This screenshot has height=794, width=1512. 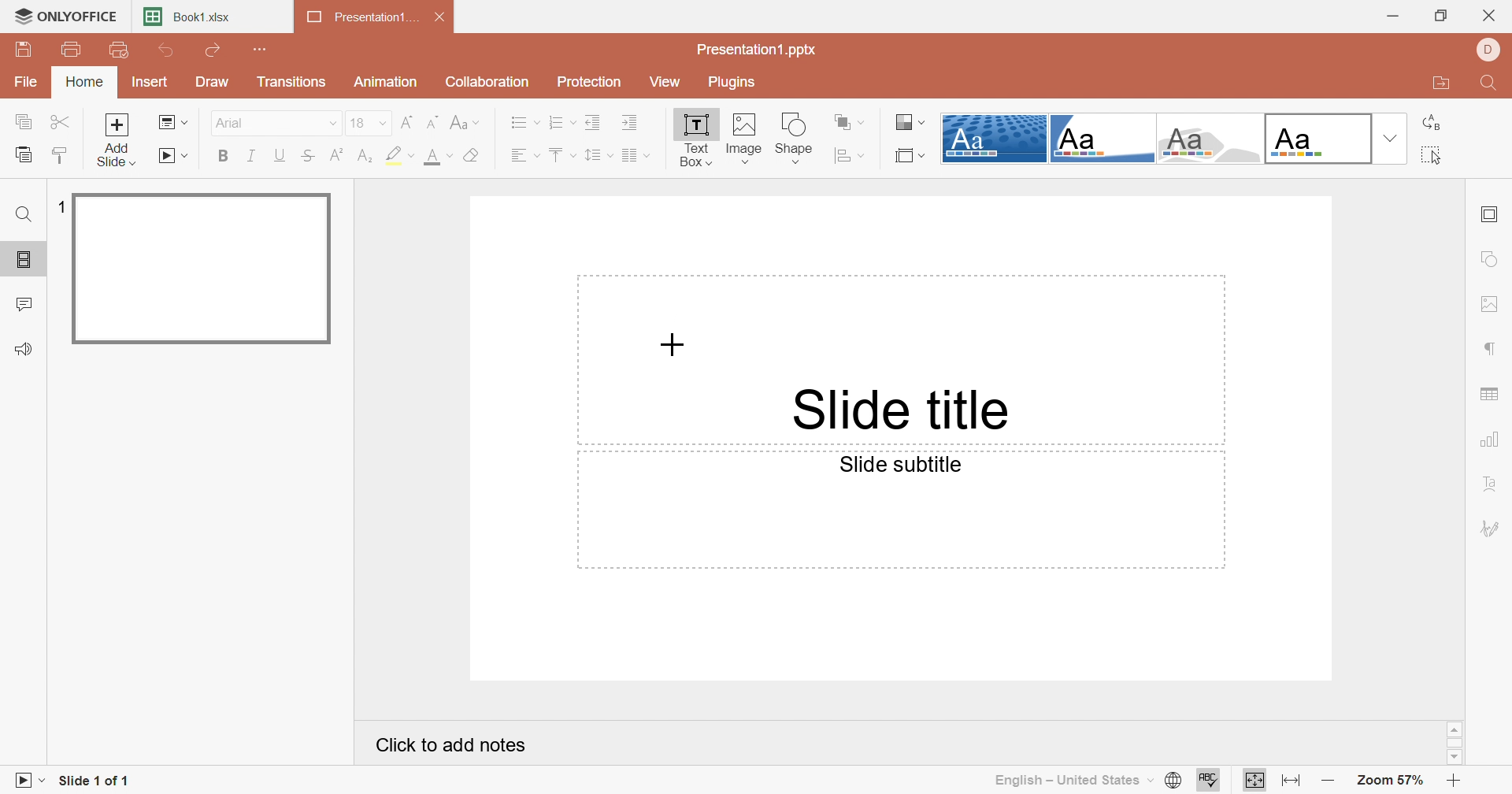 What do you see at coordinates (694, 142) in the screenshot?
I see `Text Box` at bounding box center [694, 142].